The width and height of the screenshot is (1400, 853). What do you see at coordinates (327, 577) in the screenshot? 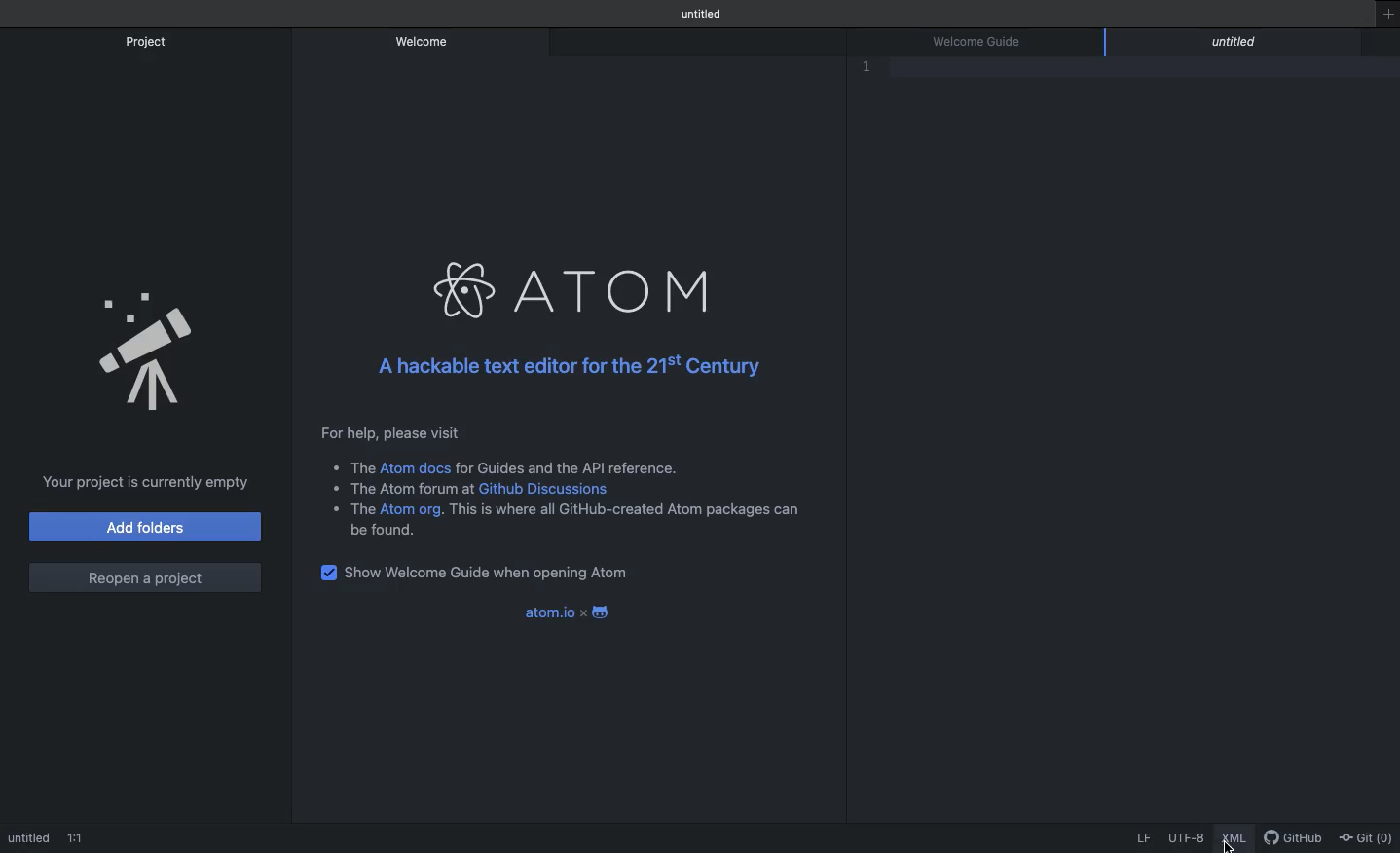
I see `checkbox ` at bounding box center [327, 577].